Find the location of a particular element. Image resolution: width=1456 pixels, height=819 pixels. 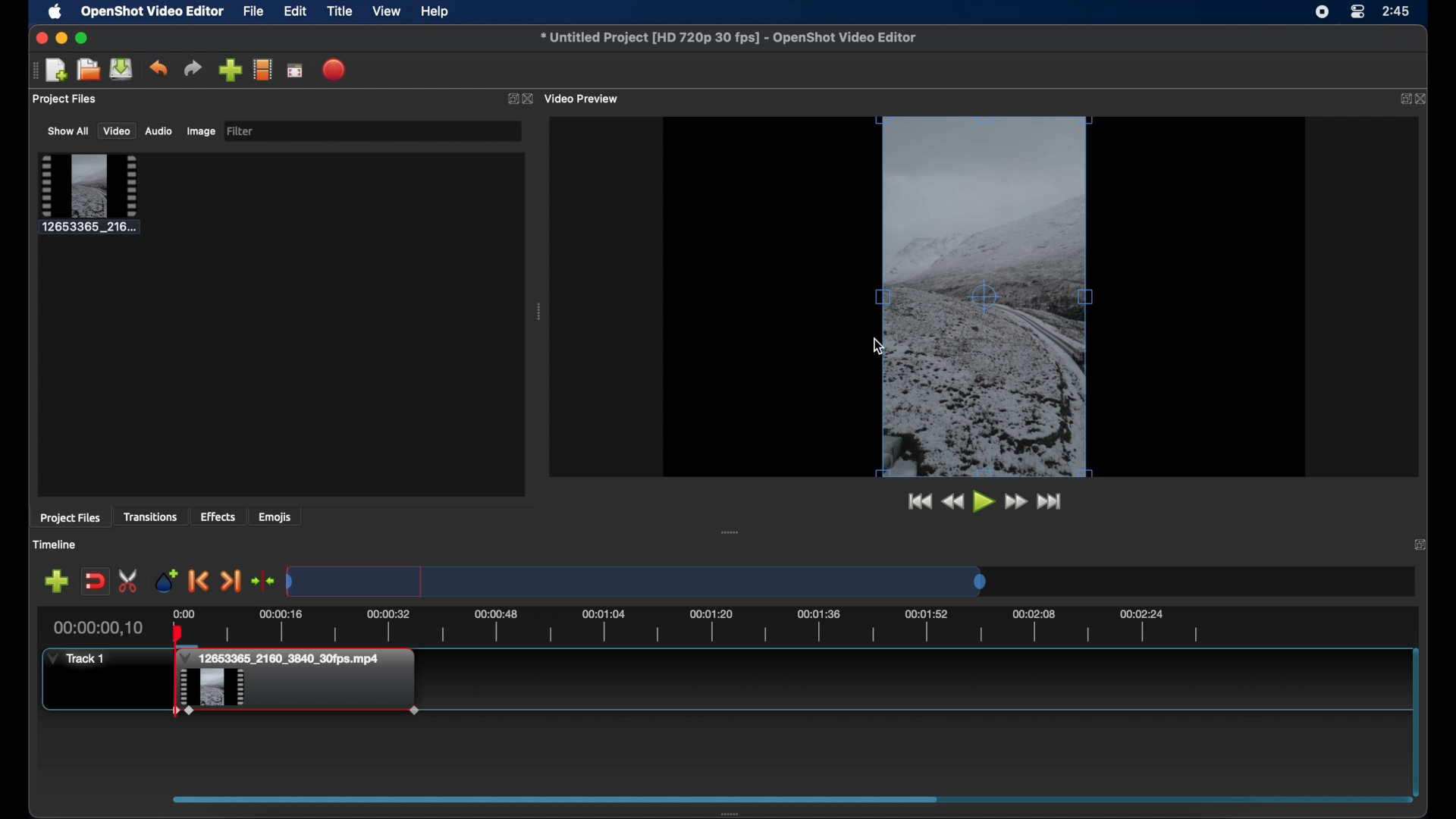

show all is located at coordinates (67, 131).